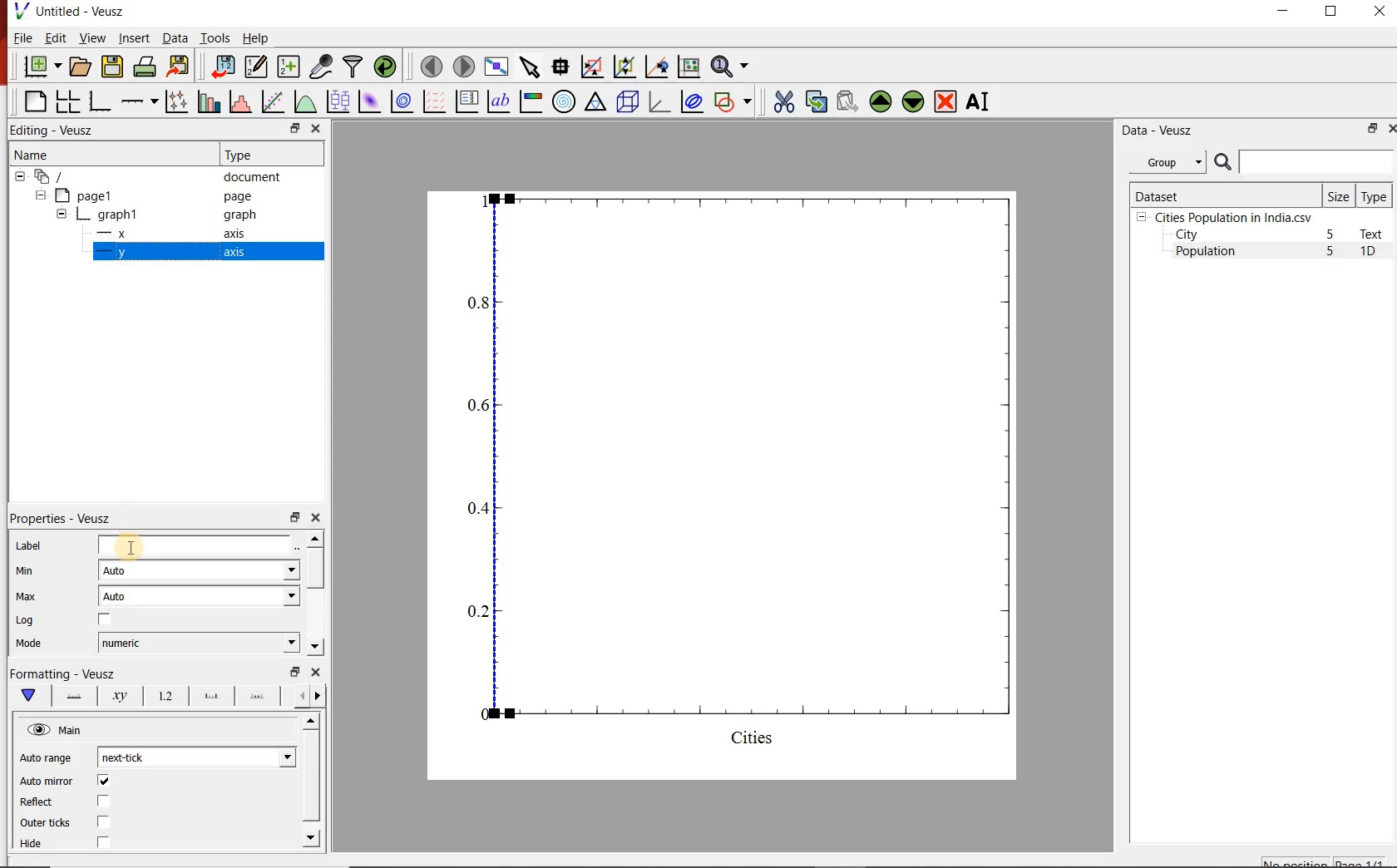 The height and width of the screenshot is (868, 1397). What do you see at coordinates (313, 782) in the screenshot?
I see `scrollbar` at bounding box center [313, 782].